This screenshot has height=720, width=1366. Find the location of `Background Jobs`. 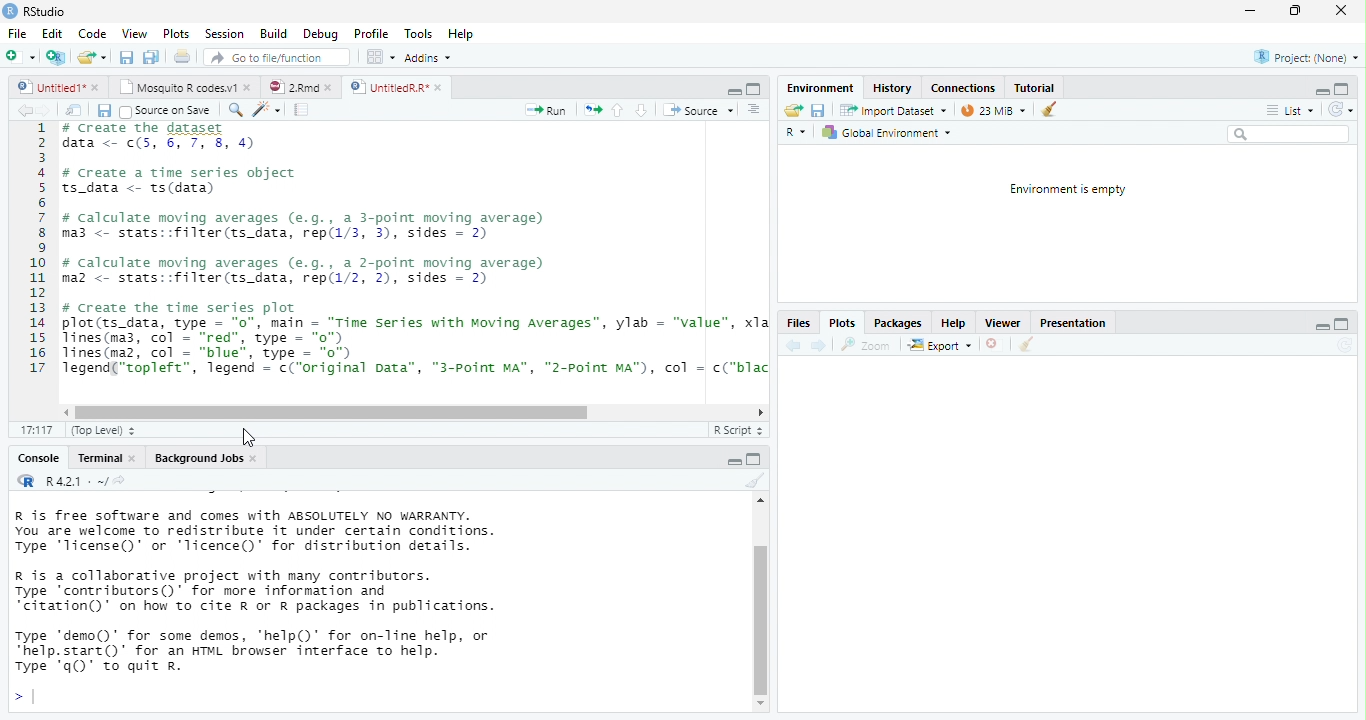

Background Jobs is located at coordinates (197, 458).